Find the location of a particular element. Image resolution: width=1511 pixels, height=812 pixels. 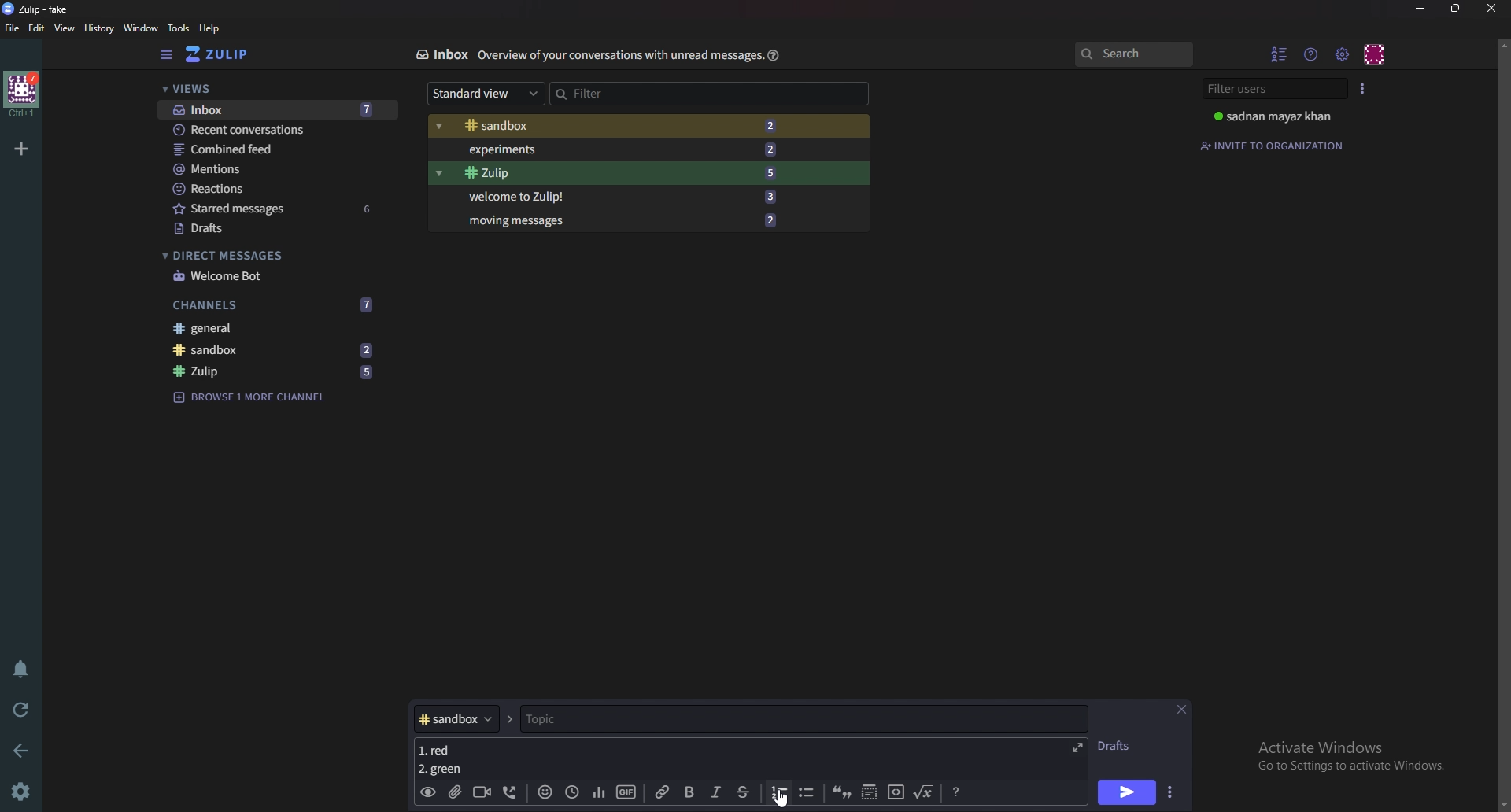

close message is located at coordinates (1182, 709).